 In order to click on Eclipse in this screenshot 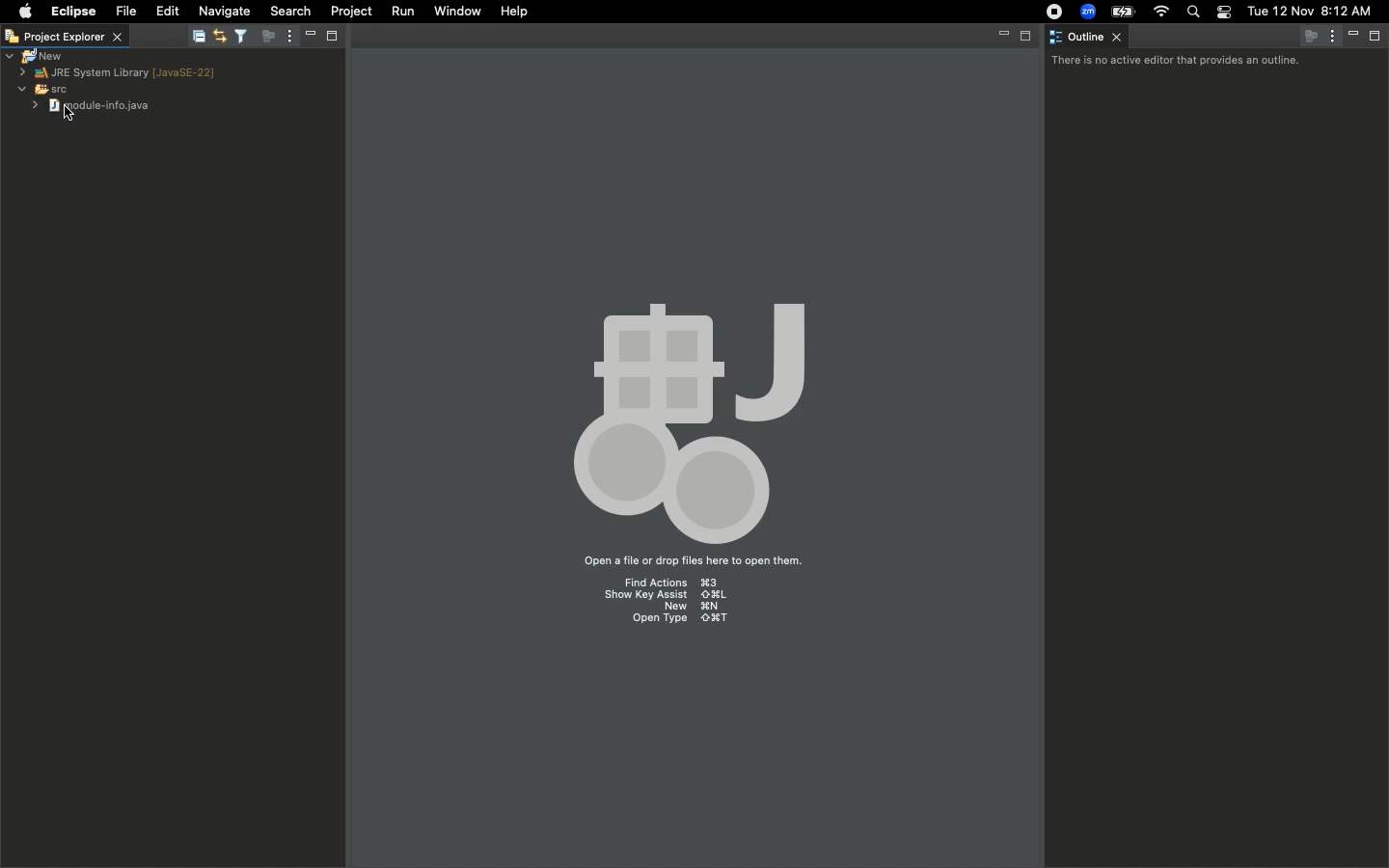, I will do `click(73, 13)`.